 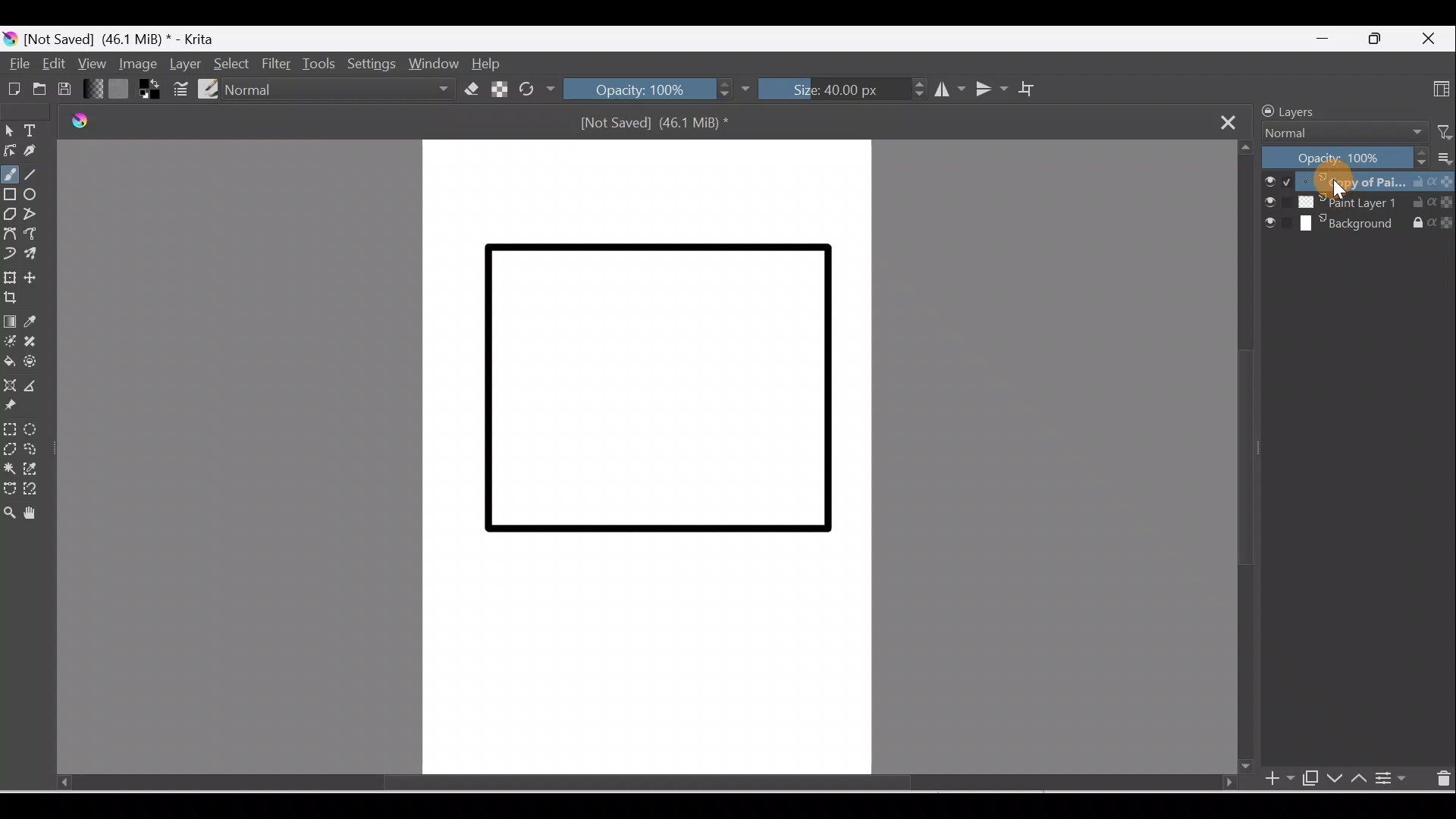 I want to click on Help, so click(x=489, y=64).